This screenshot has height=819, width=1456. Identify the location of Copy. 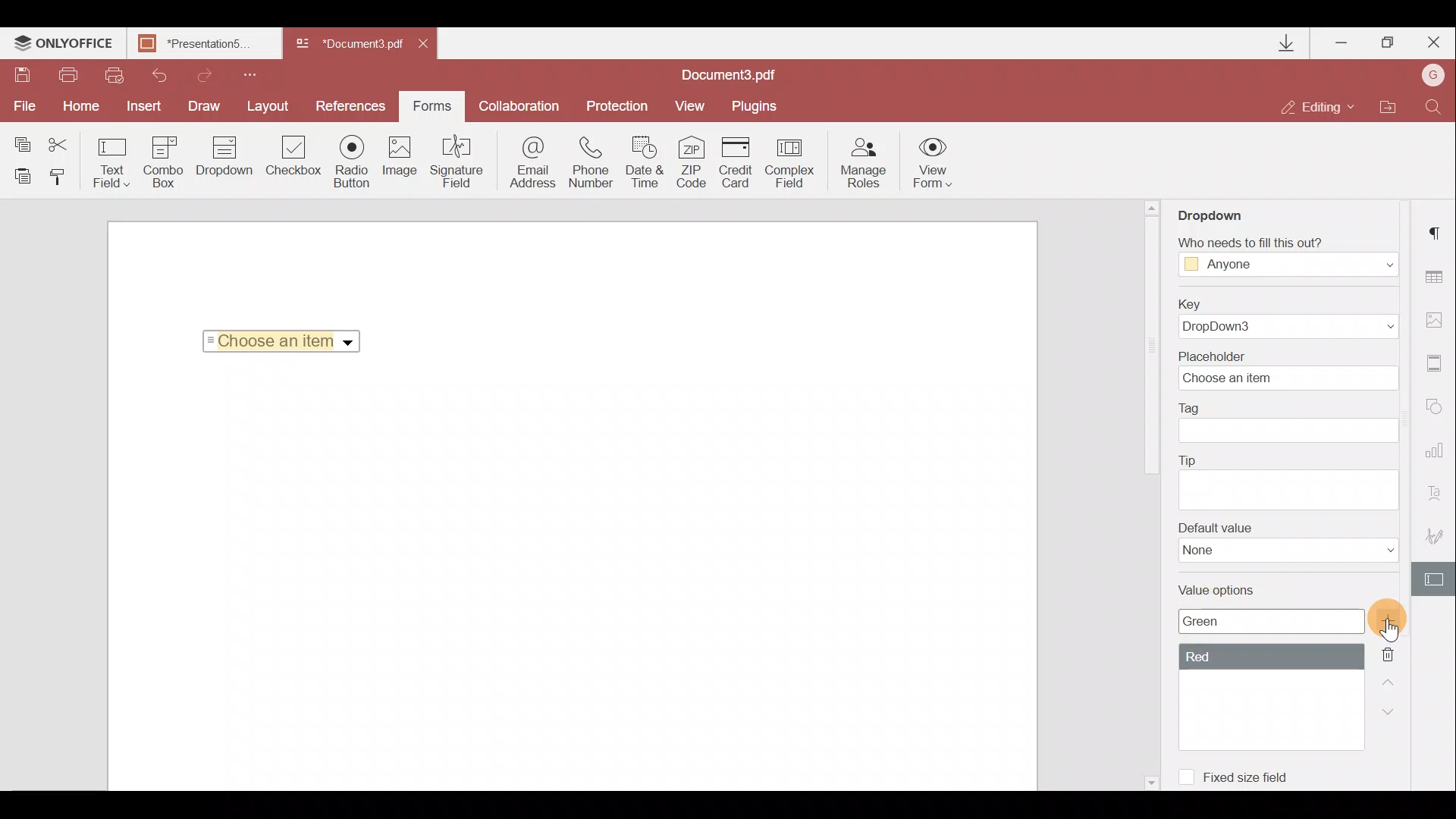
(18, 139).